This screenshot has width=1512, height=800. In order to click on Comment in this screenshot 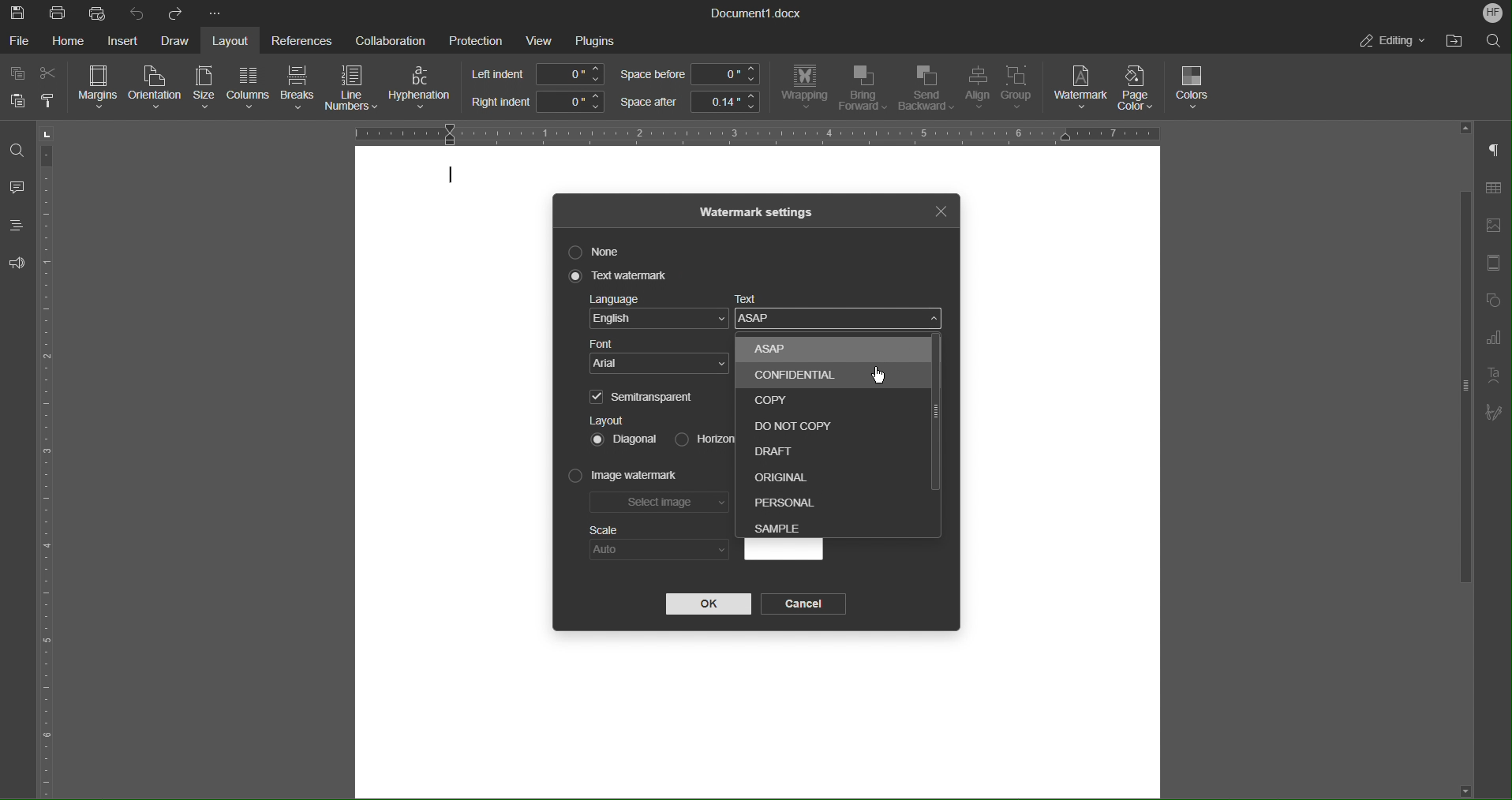, I will do `click(17, 189)`.